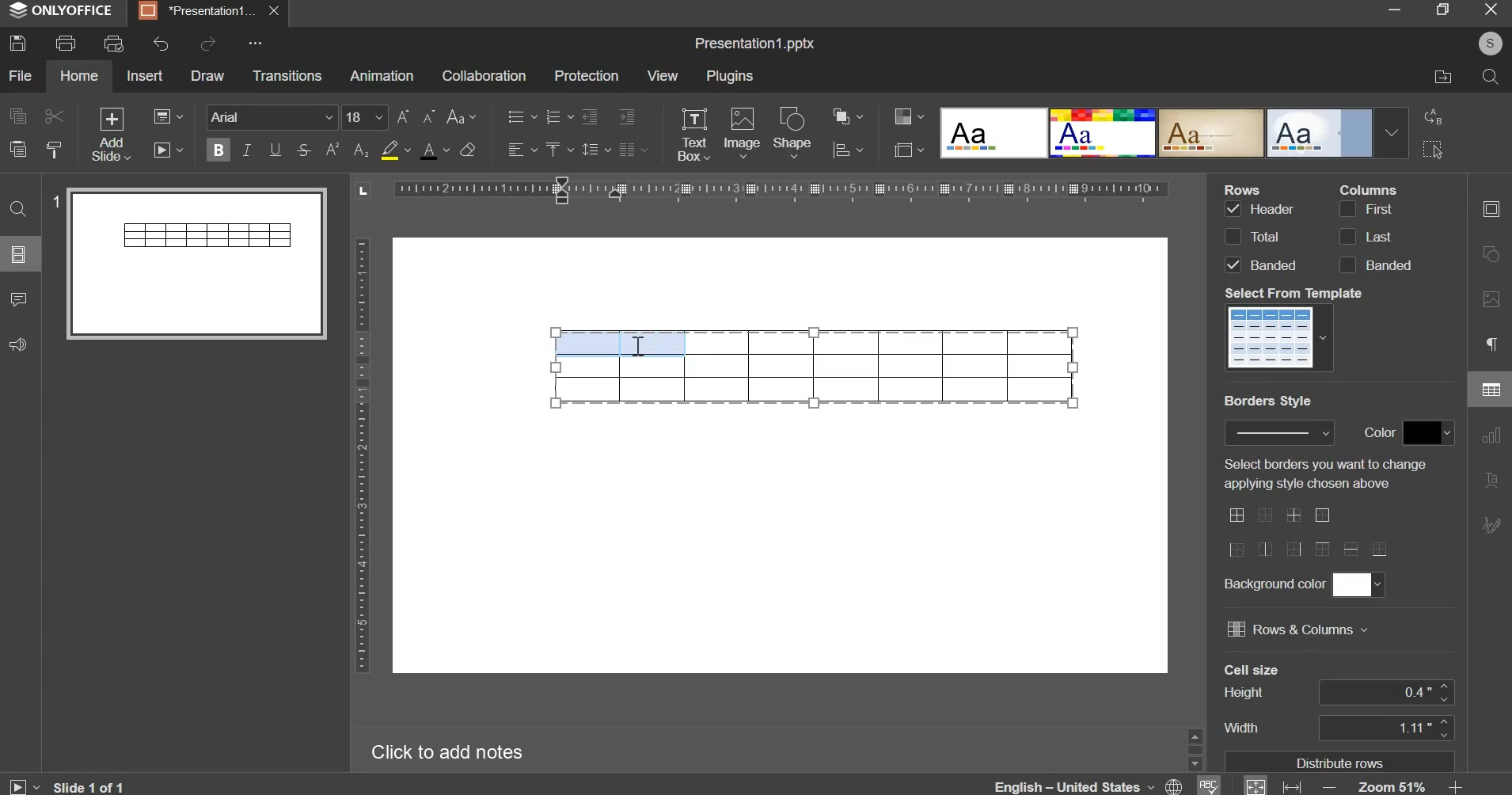  What do you see at coordinates (467, 149) in the screenshot?
I see `clear style` at bounding box center [467, 149].